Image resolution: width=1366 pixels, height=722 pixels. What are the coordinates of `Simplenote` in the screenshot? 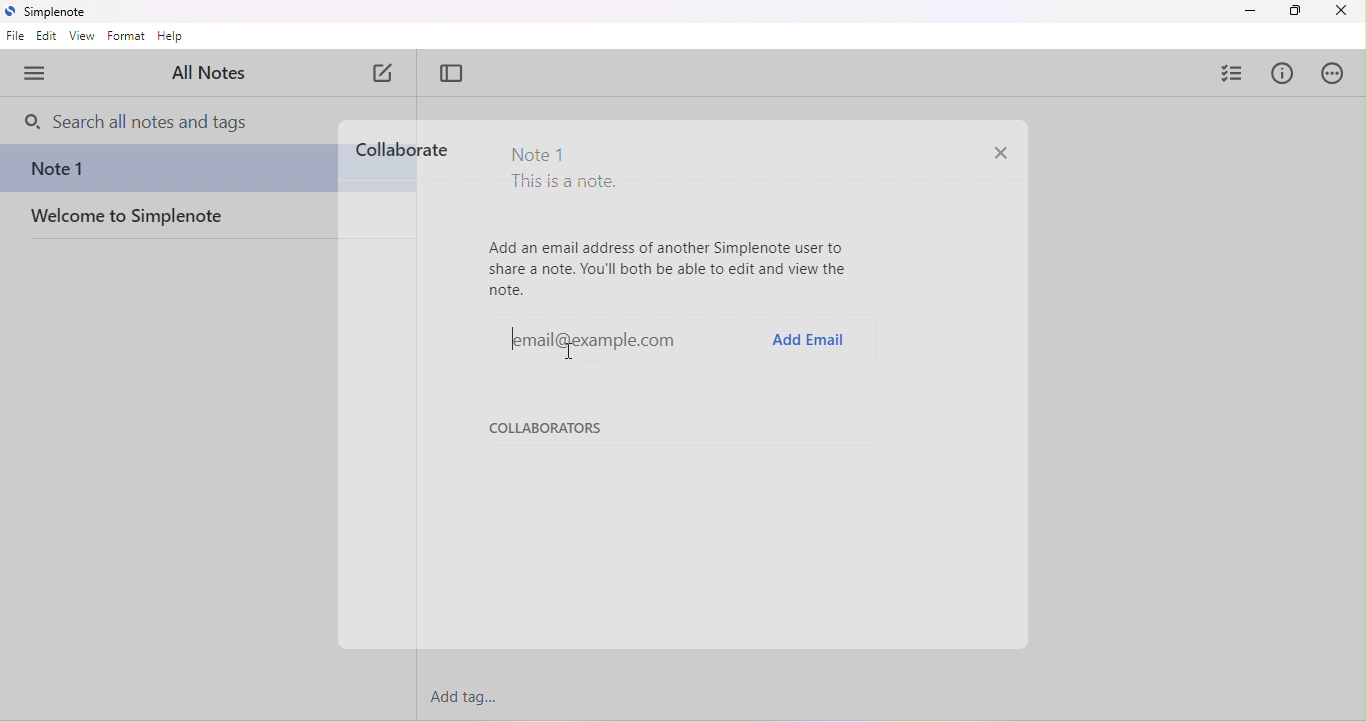 It's located at (59, 13).